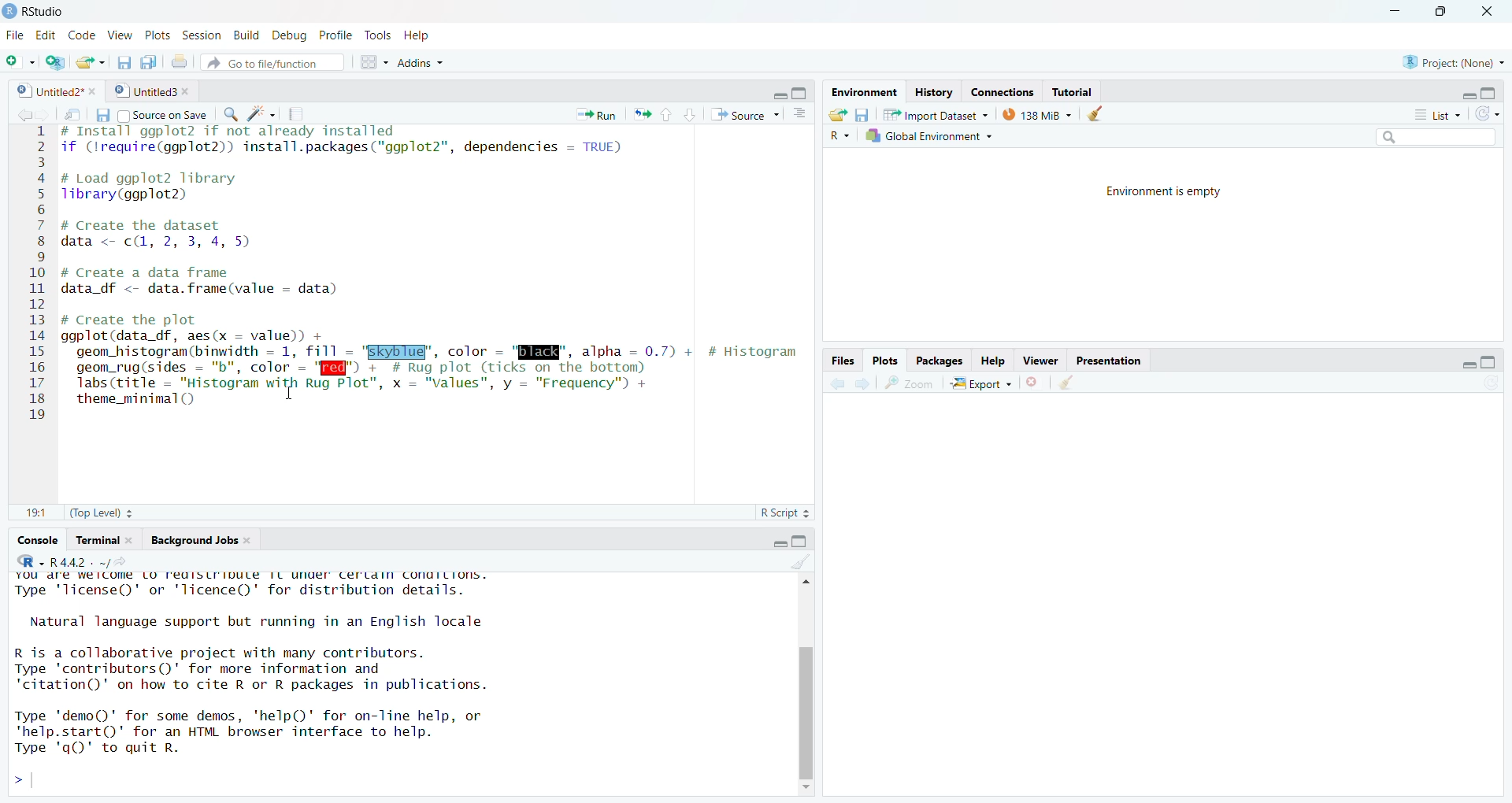  I want to click on Terminal, so click(102, 542).